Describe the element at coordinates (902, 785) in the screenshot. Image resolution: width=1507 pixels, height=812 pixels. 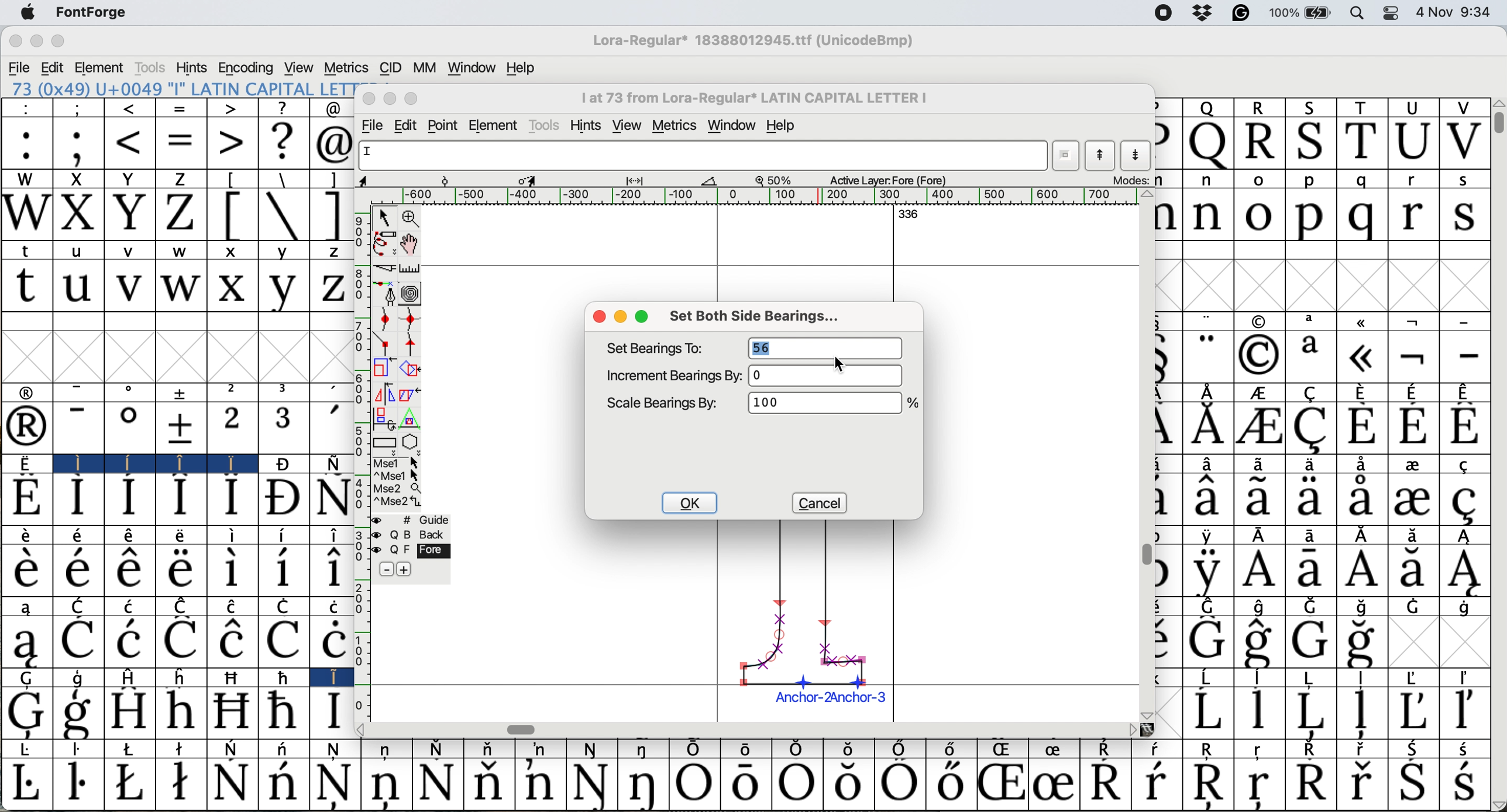
I see `Symbol` at that location.